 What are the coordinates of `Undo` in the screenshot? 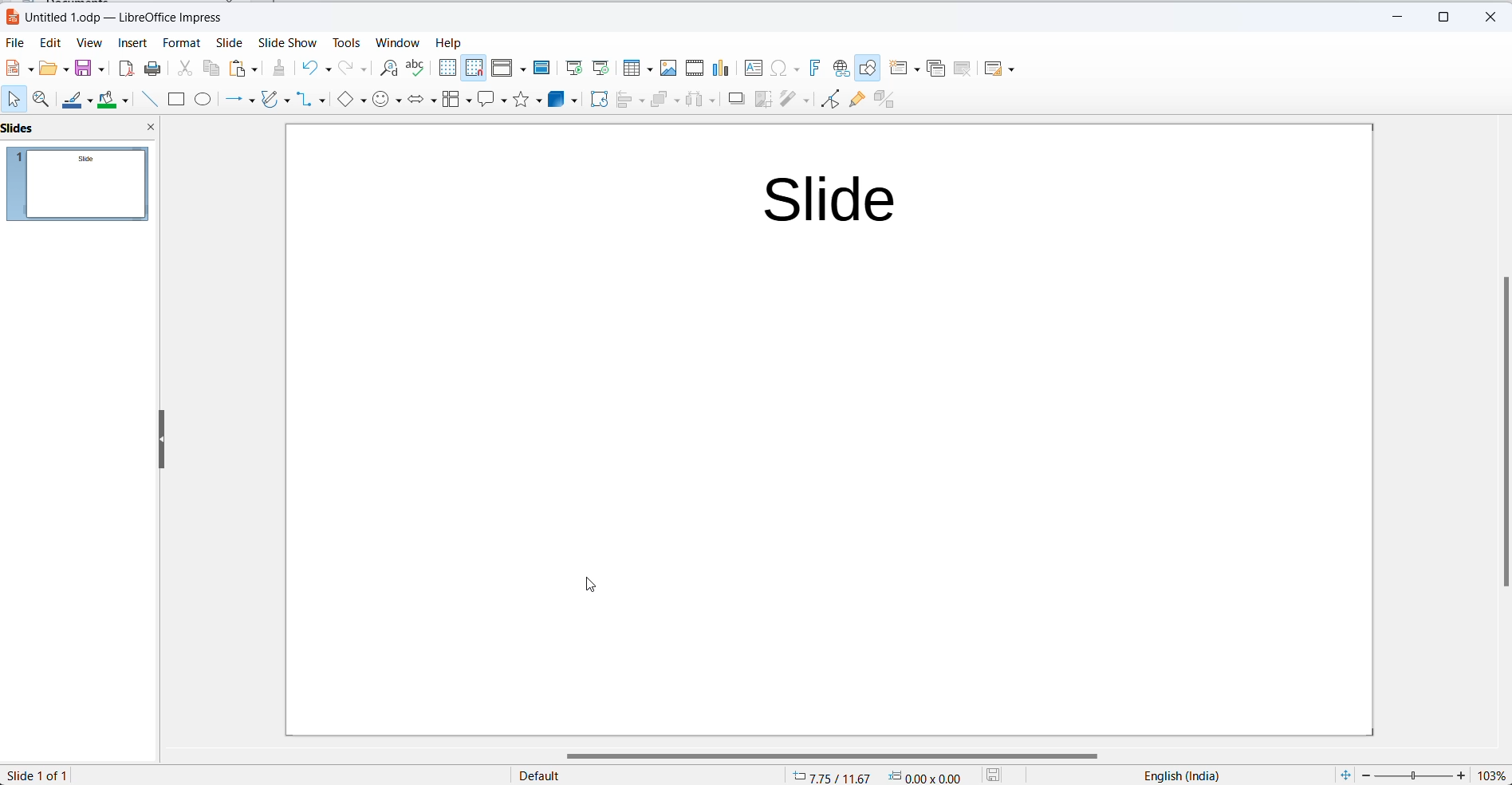 It's located at (312, 69).